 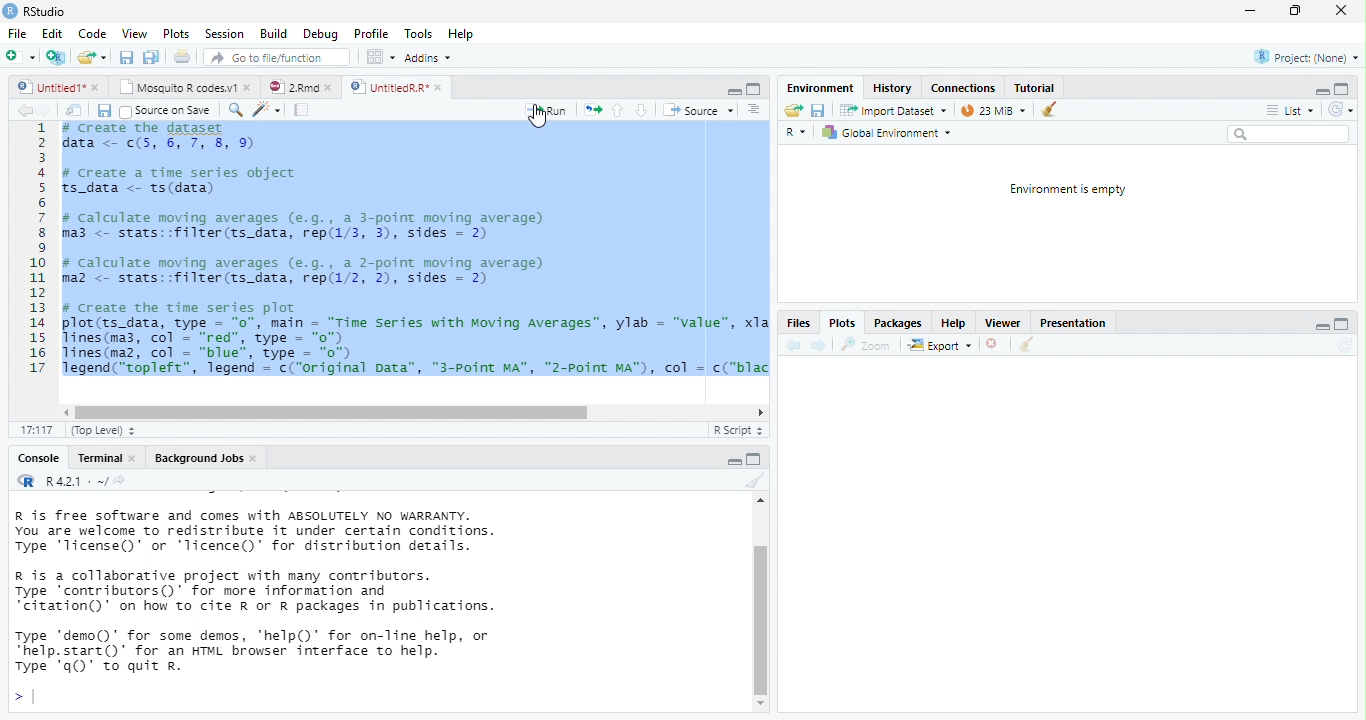 I want to click on Plots, so click(x=840, y=325).